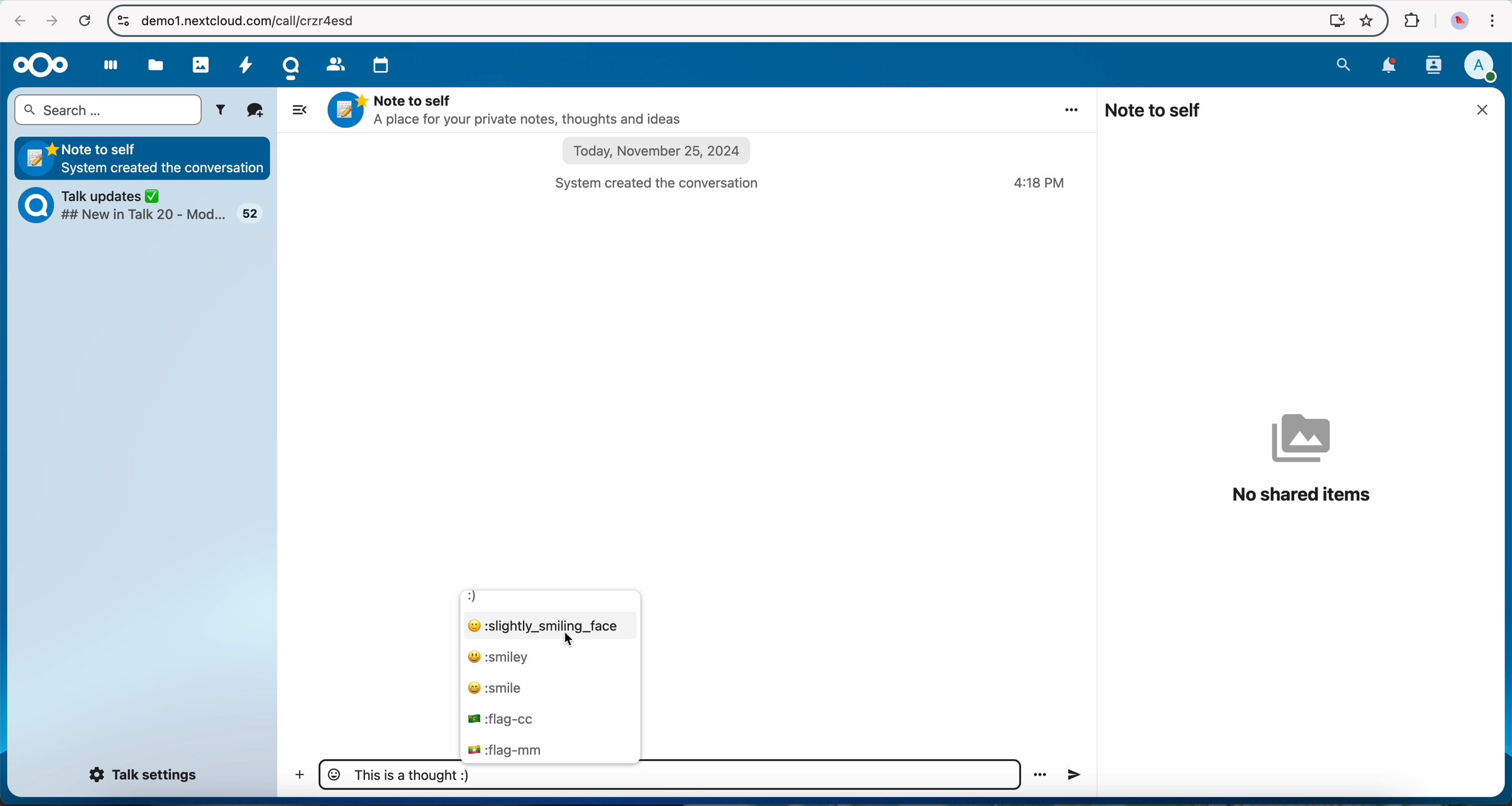 The height and width of the screenshot is (806, 1512). Describe the element at coordinates (1365, 21) in the screenshot. I see `favorites` at that location.